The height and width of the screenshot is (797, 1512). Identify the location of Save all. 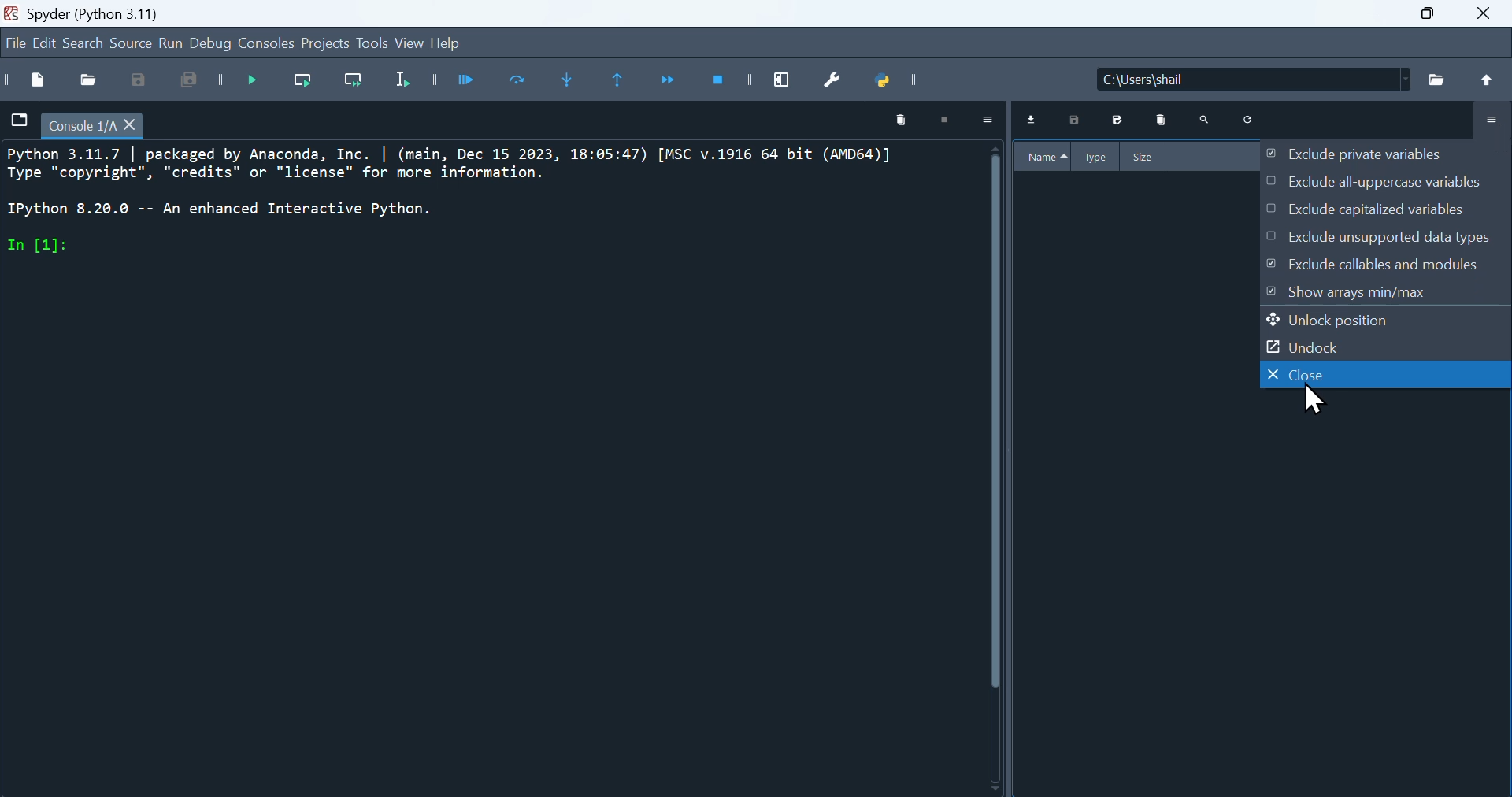
(196, 83).